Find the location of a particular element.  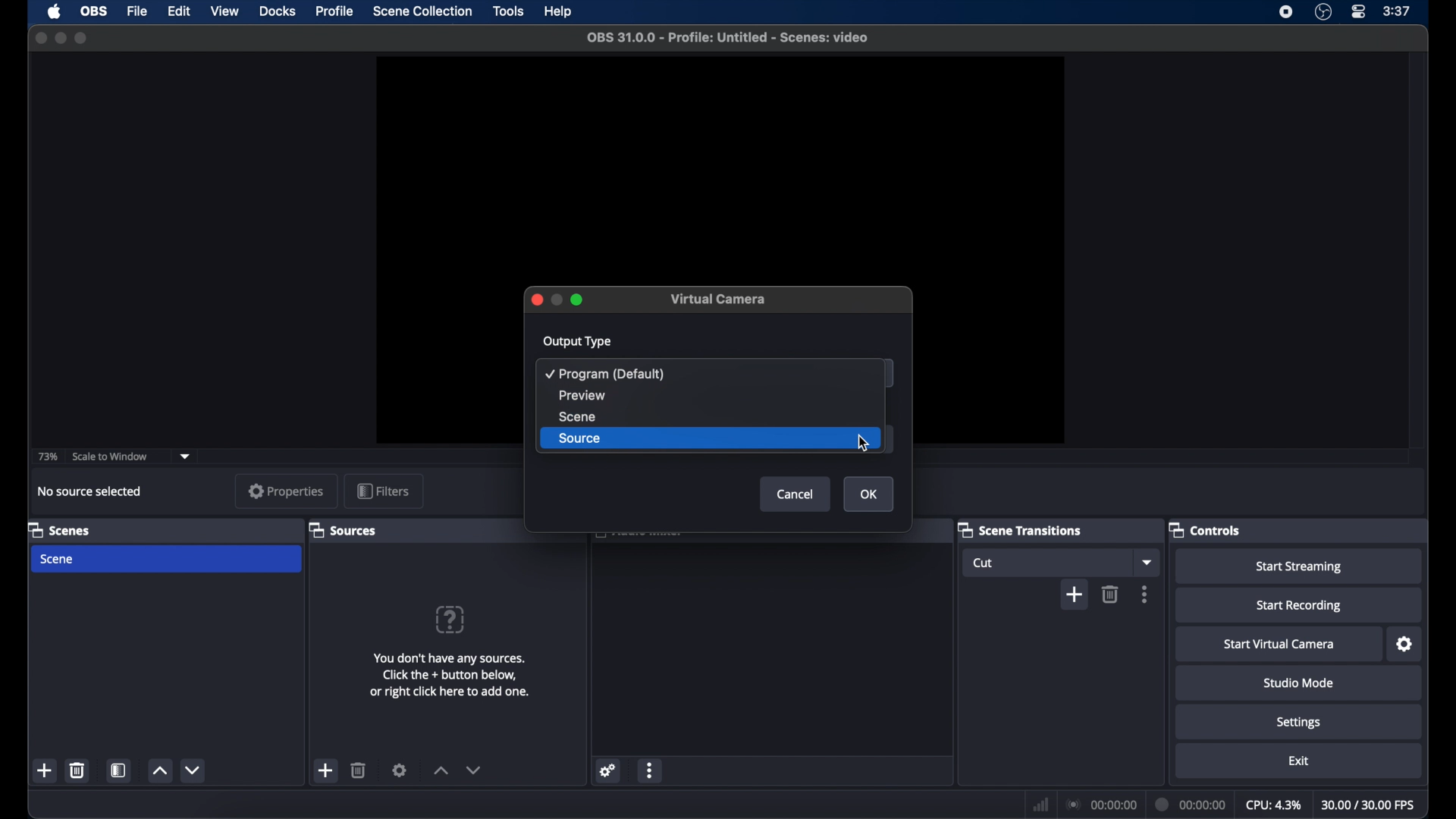

start recording is located at coordinates (1298, 606).